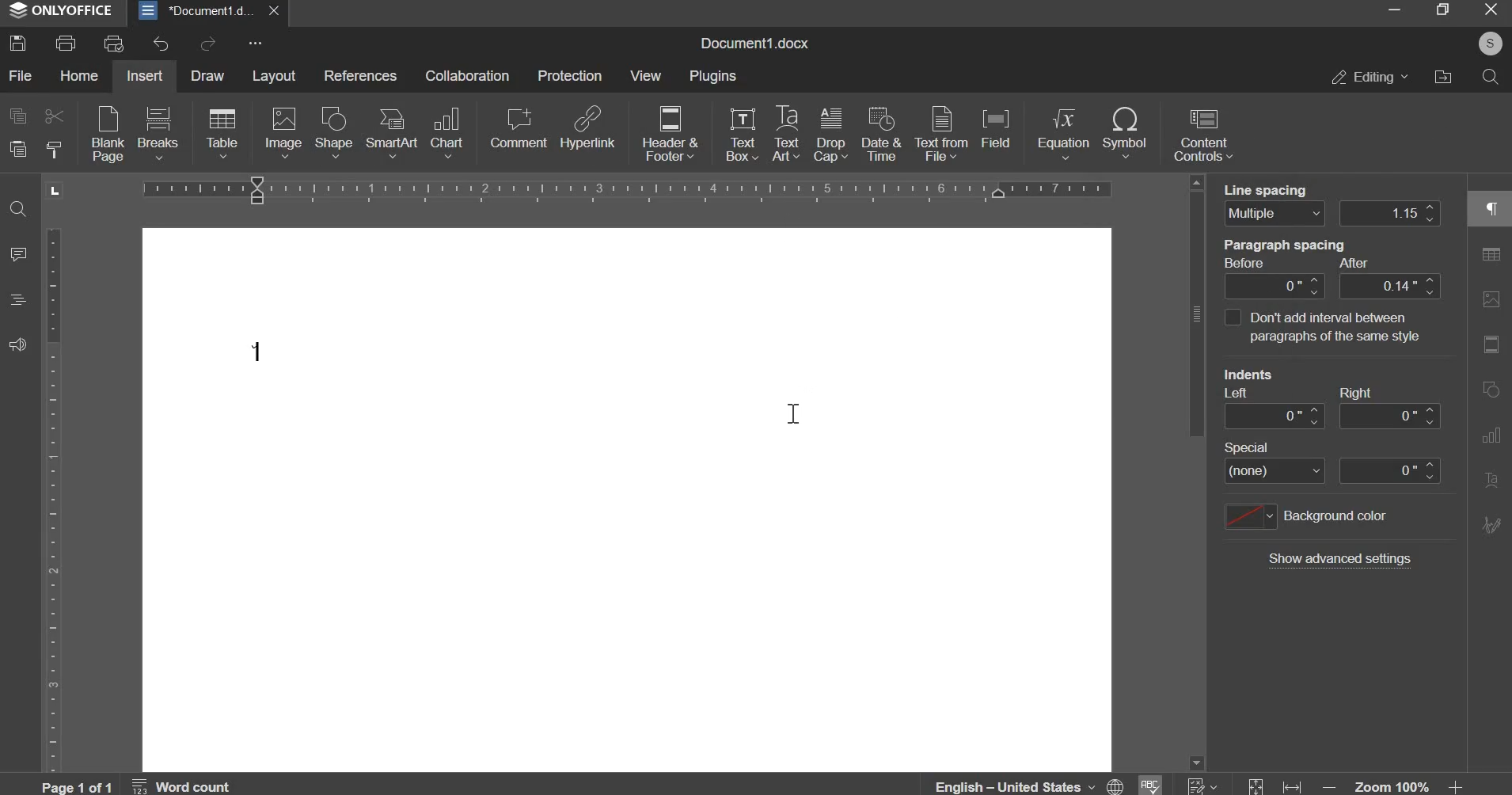  I want to click on paragraph spacing, so click(1389, 285).